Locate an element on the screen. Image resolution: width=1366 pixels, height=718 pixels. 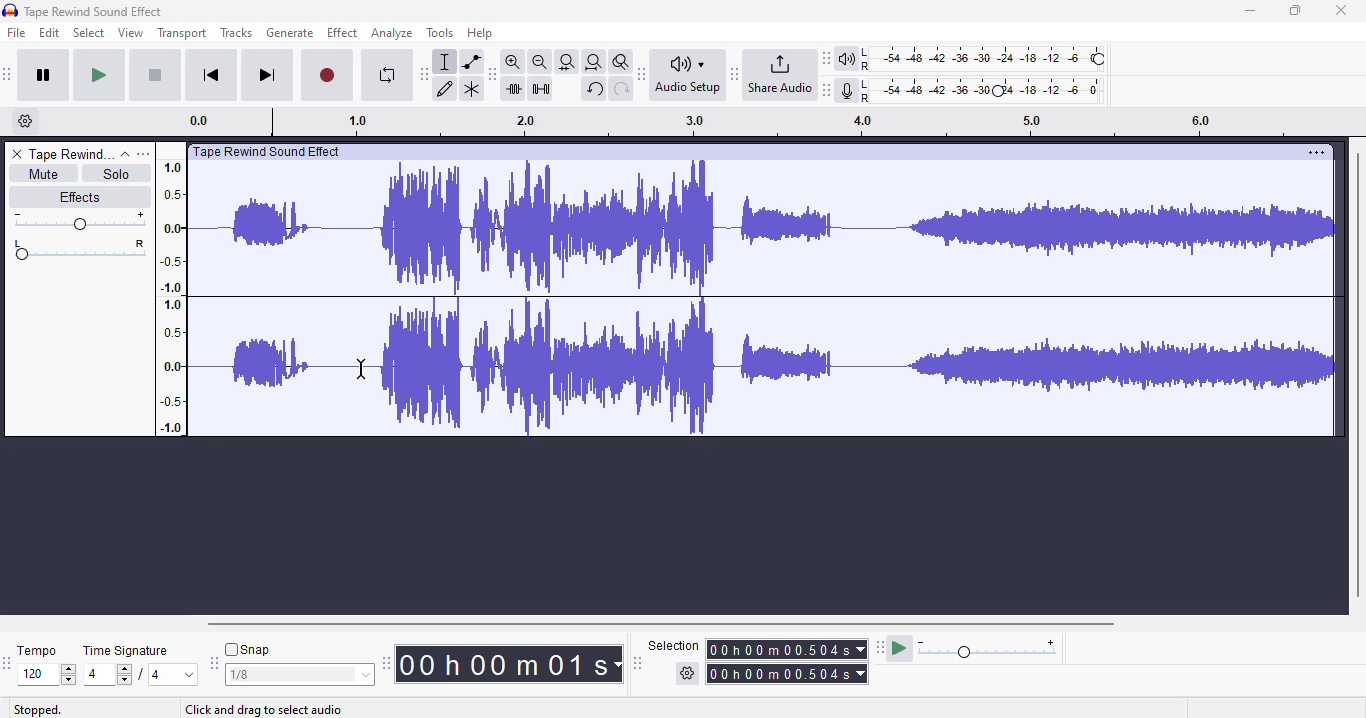
audacity tools toolbar is located at coordinates (424, 75).